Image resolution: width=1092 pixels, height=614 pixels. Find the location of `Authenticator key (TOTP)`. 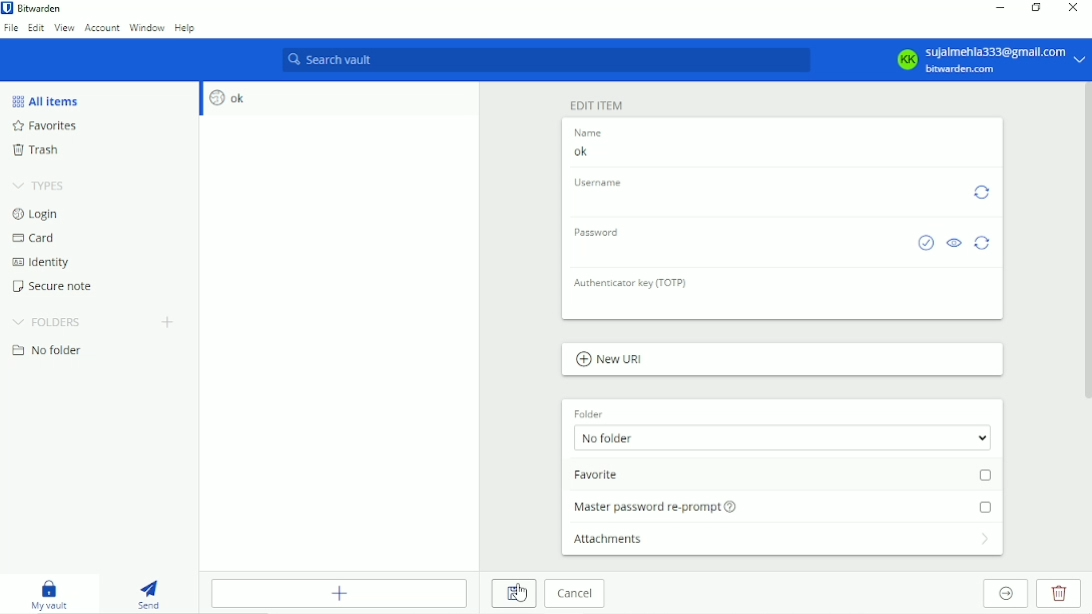

Authenticator key (TOTP) is located at coordinates (784, 305).